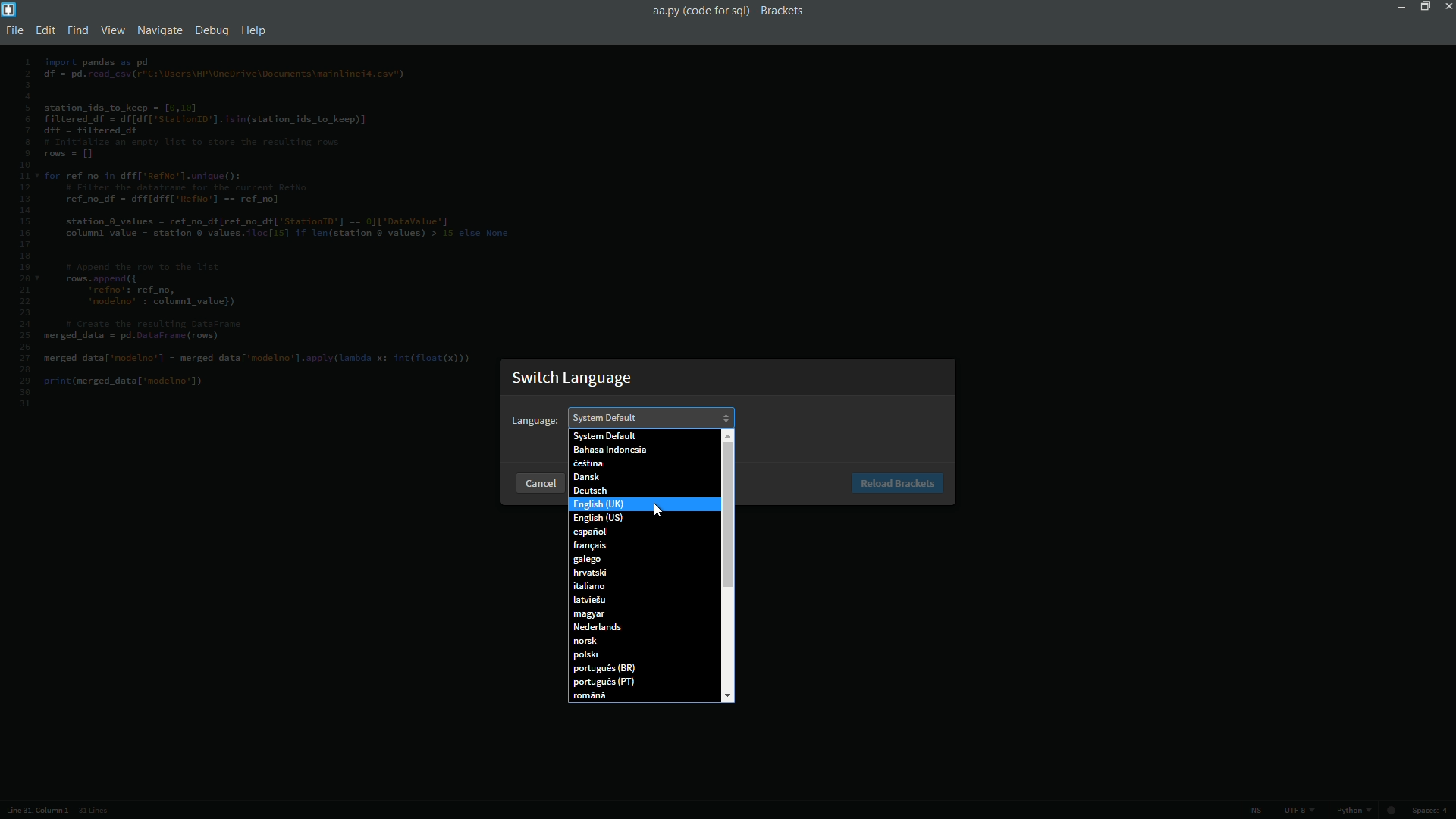 This screenshot has height=819, width=1456. I want to click on language-16, so click(585, 656).